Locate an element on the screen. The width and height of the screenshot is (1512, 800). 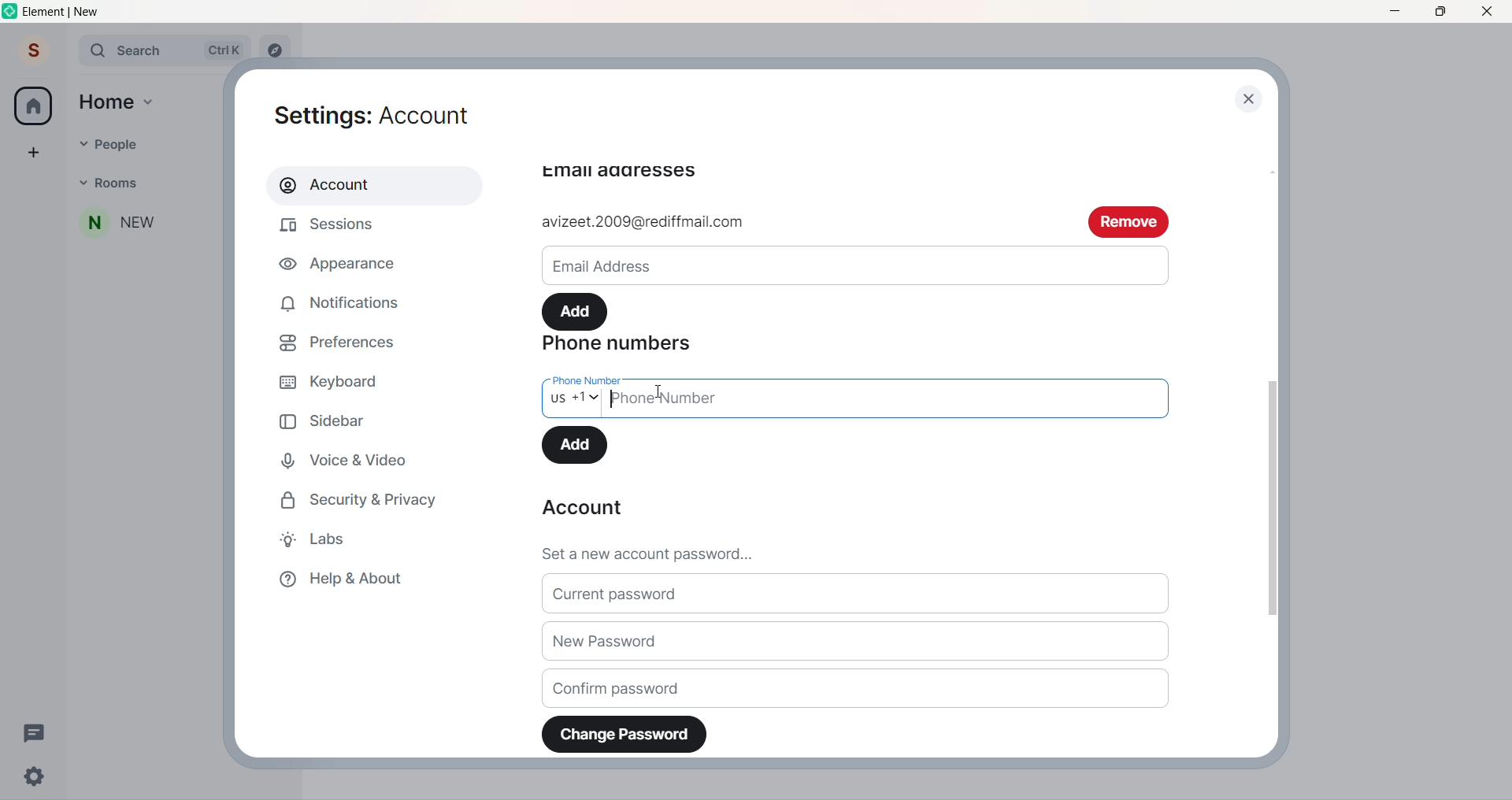
Minimize is located at coordinates (1394, 12).